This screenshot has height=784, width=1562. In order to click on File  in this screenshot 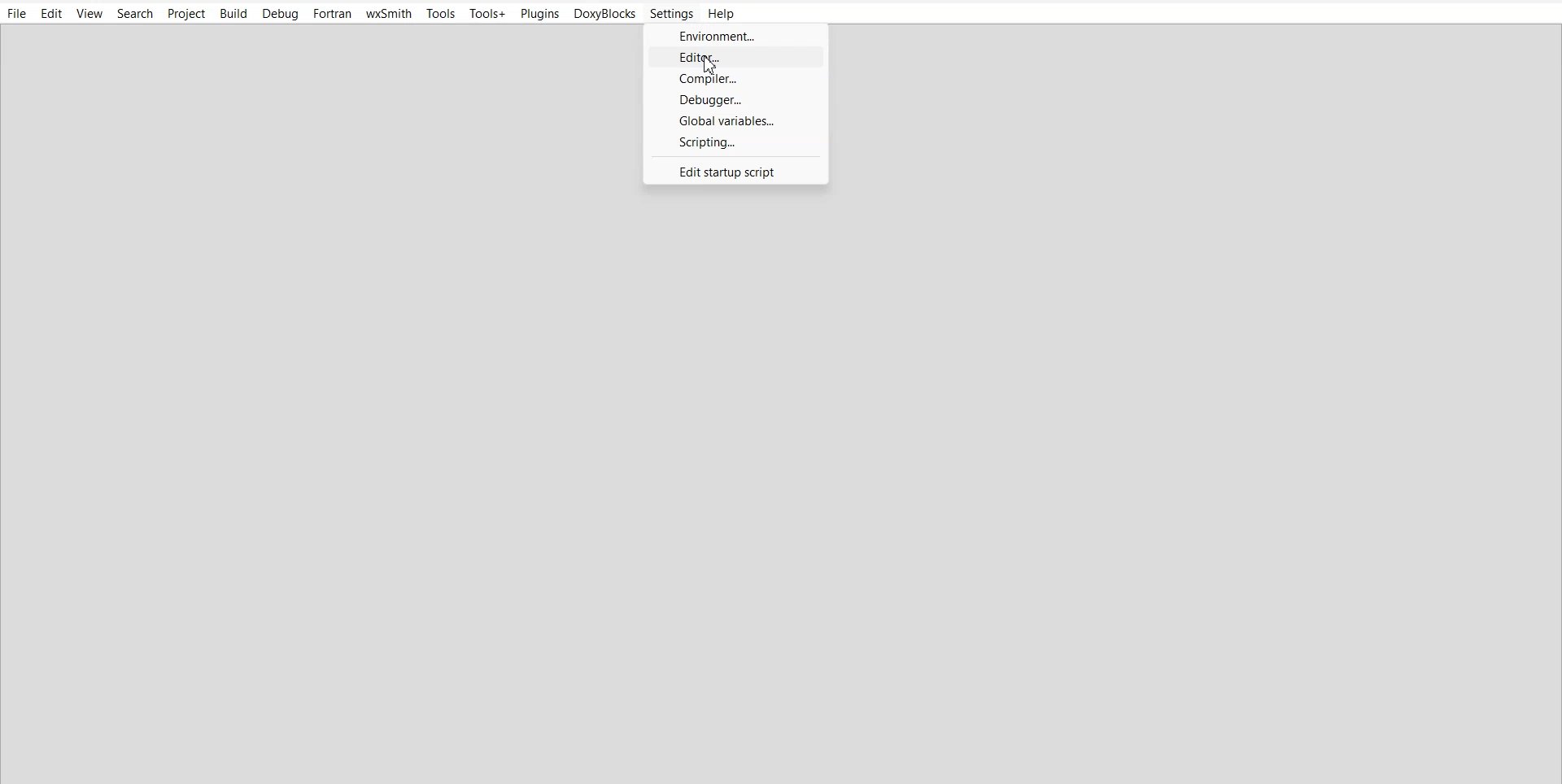, I will do `click(16, 14)`.